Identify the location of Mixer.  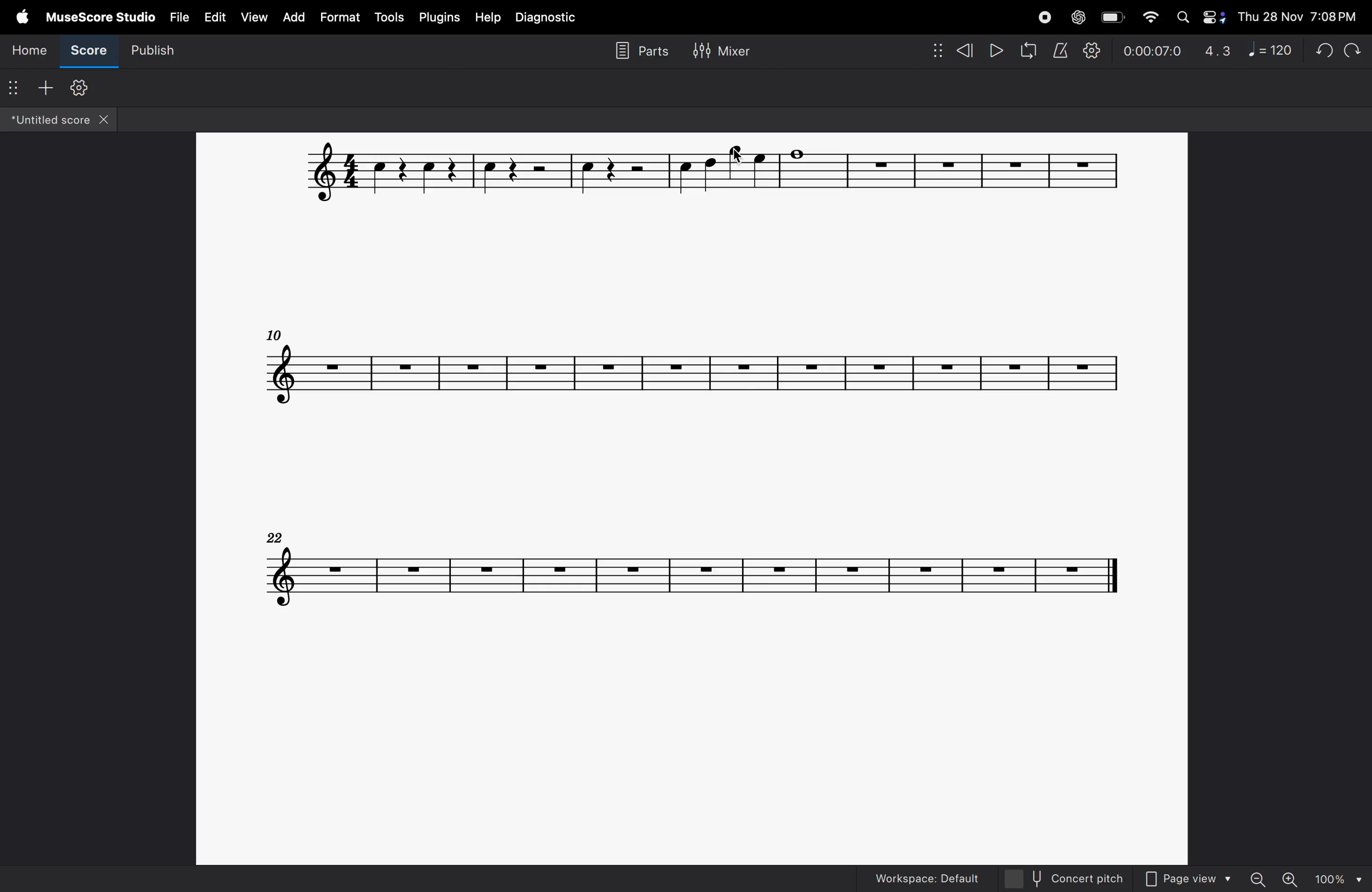
(741, 52).